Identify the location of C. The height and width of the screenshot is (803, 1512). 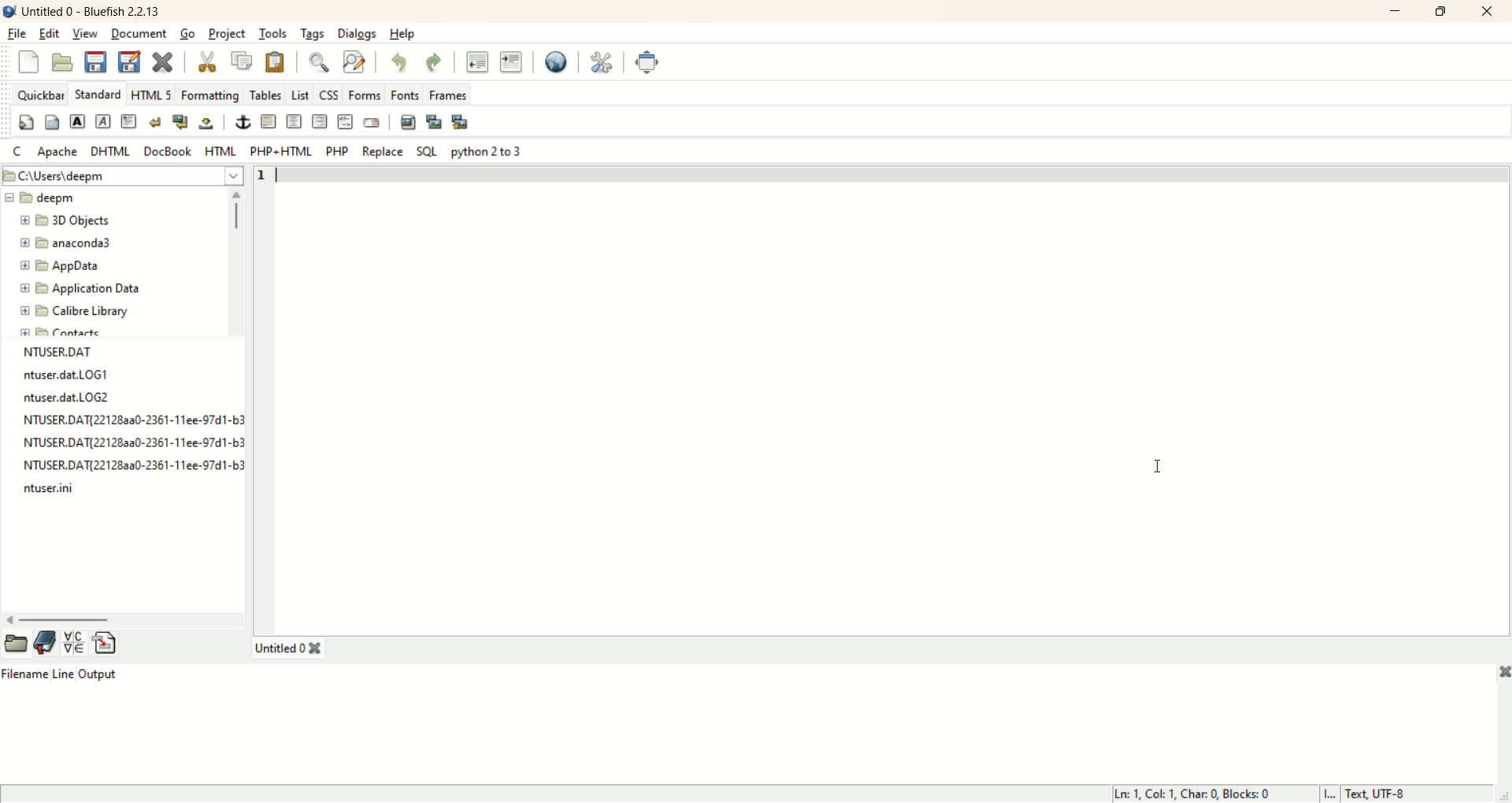
(18, 151).